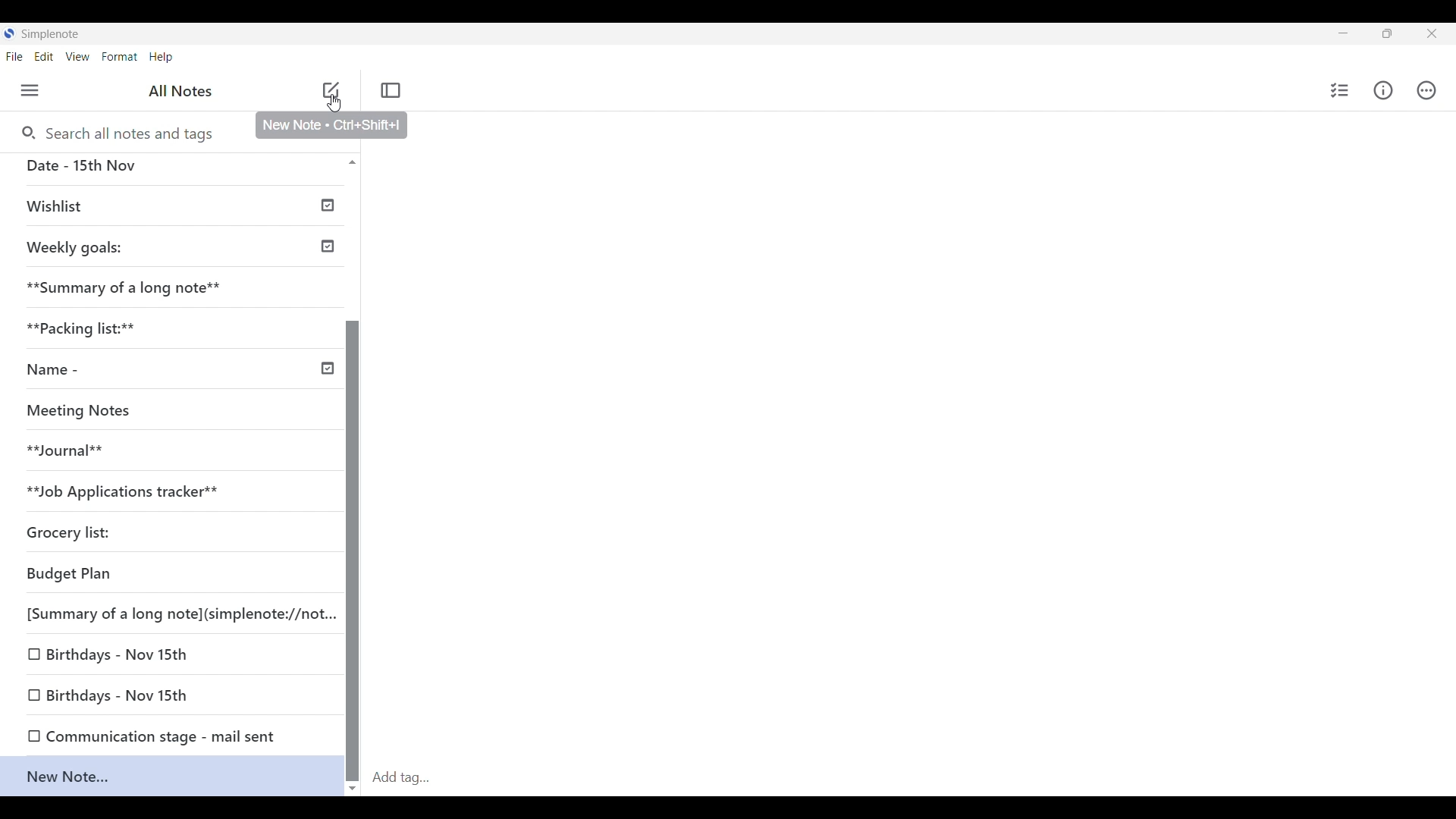 The image size is (1456, 819). Describe the element at coordinates (391, 90) in the screenshot. I see `Toggle focus mode` at that location.